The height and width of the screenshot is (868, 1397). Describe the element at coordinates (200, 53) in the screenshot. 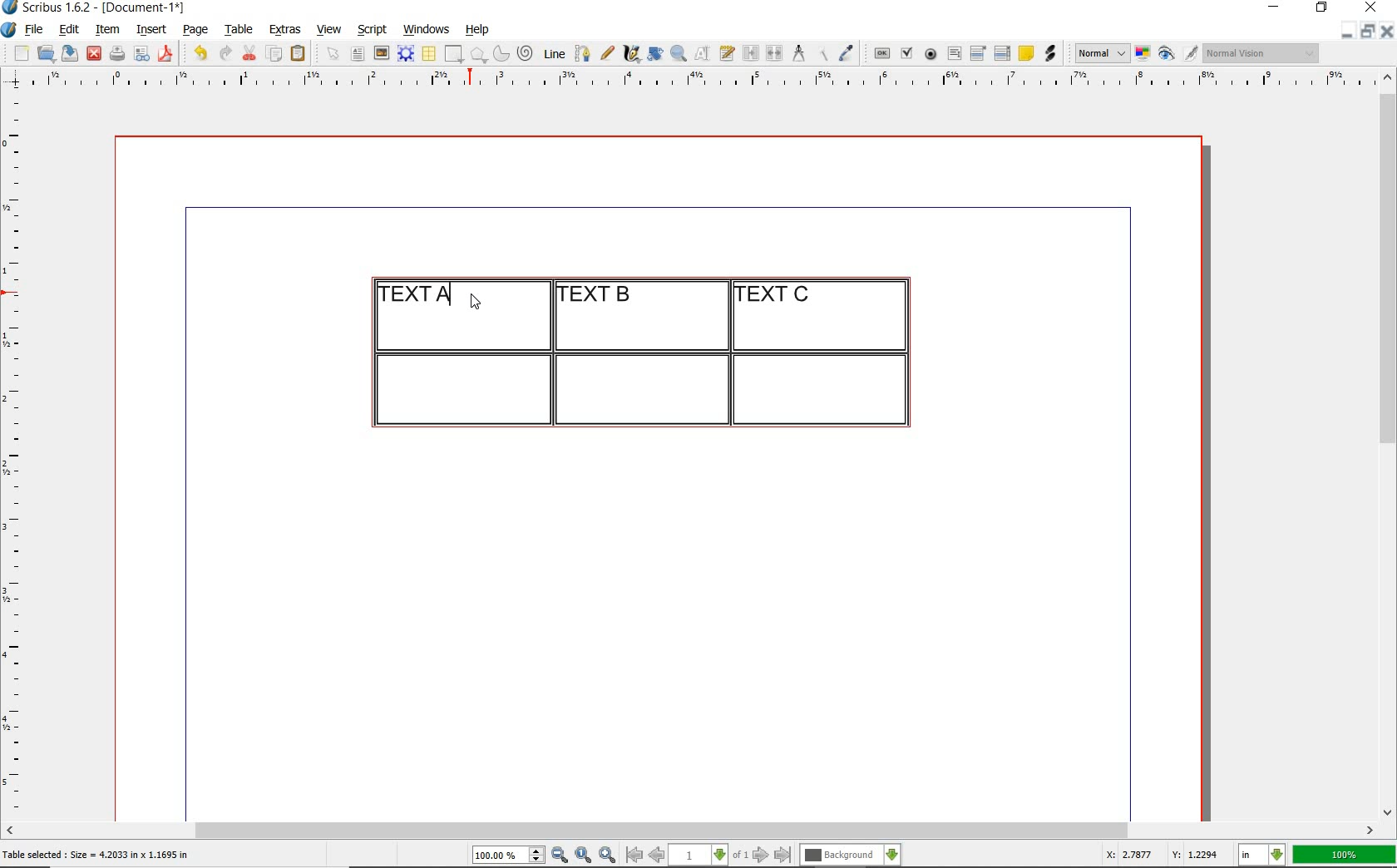

I see `undo` at that location.